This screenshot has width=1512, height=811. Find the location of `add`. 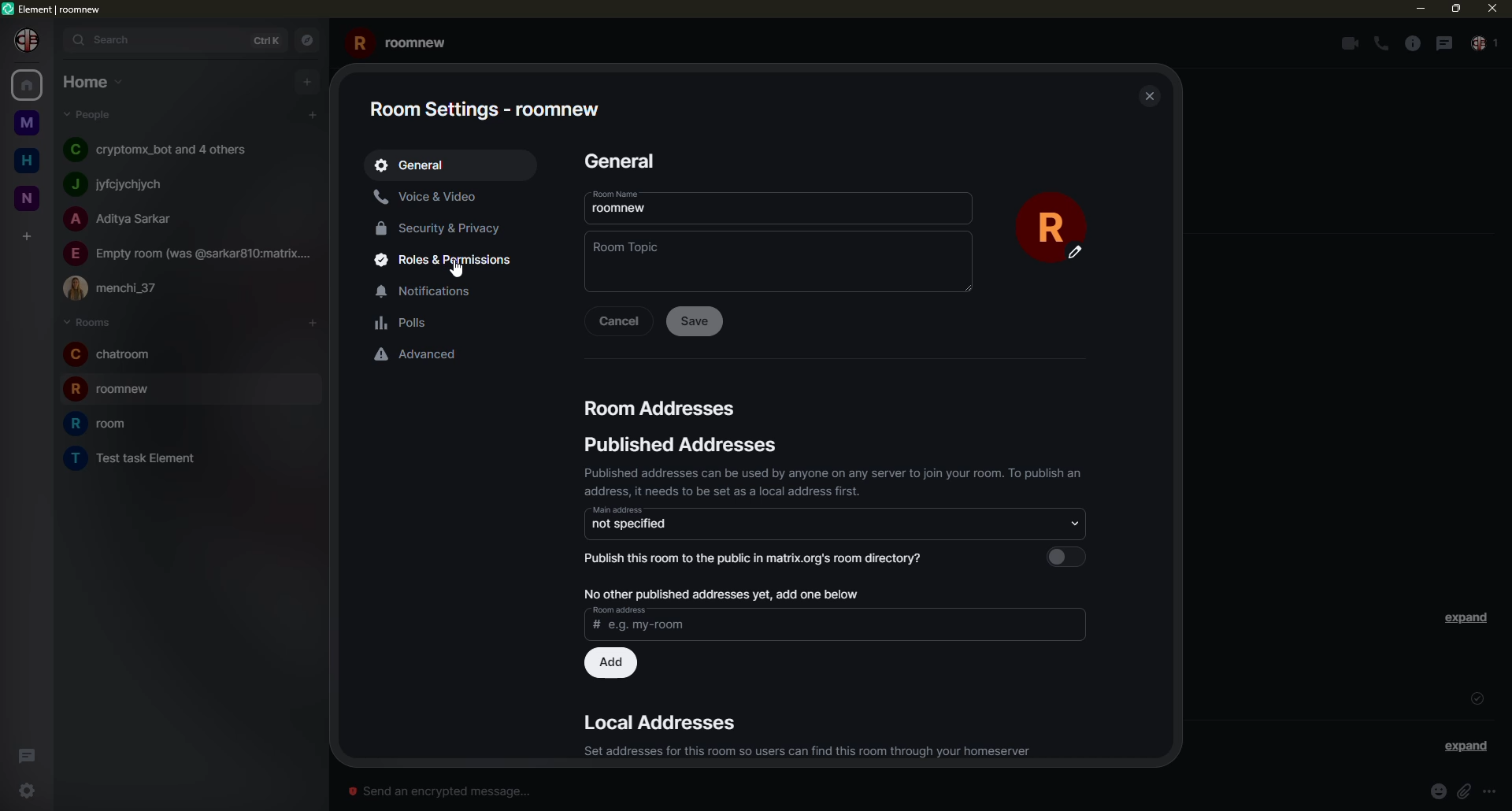

add is located at coordinates (313, 114).